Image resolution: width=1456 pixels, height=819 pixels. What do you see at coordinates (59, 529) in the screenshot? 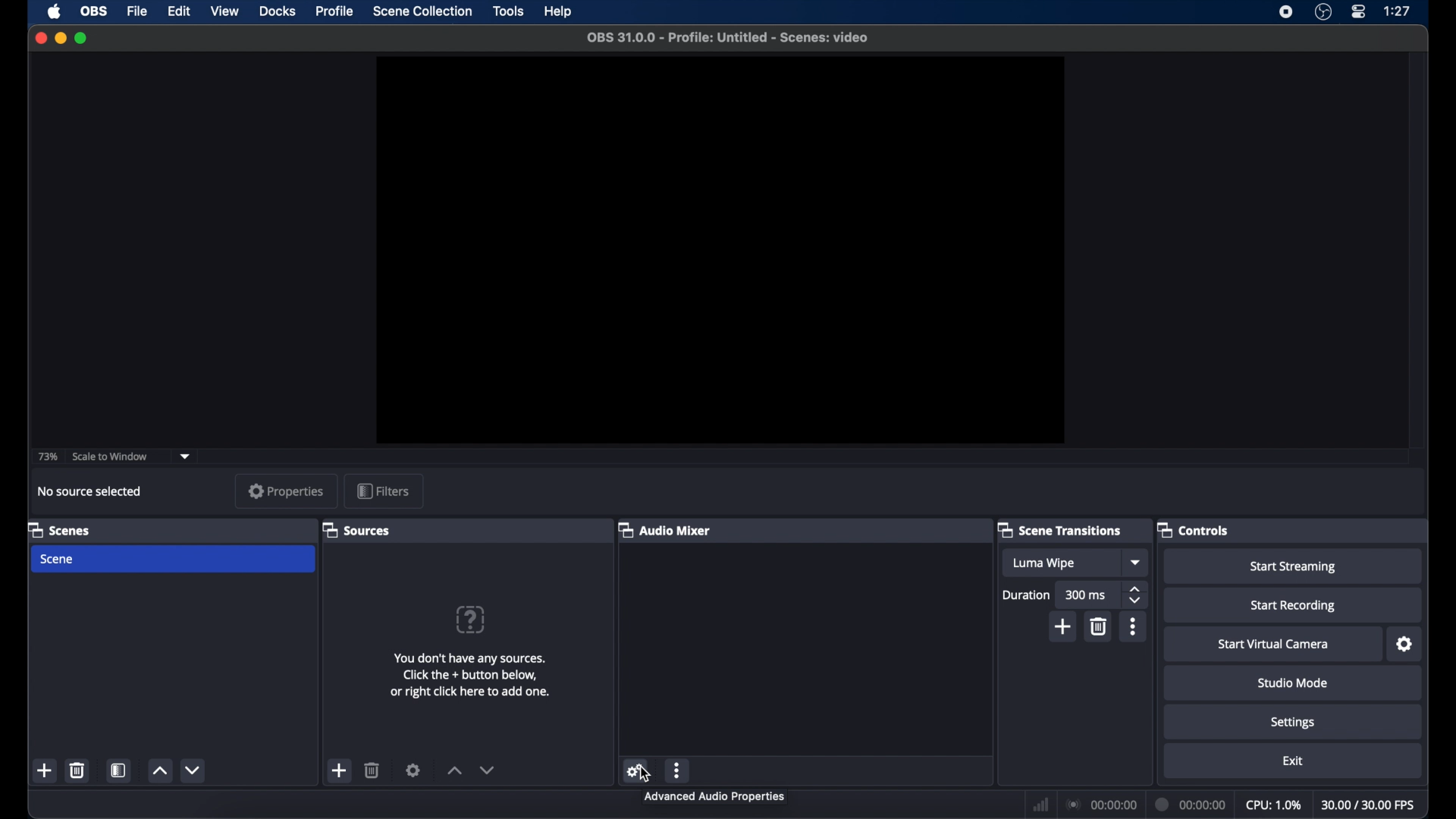
I see `scene` at bounding box center [59, 529].